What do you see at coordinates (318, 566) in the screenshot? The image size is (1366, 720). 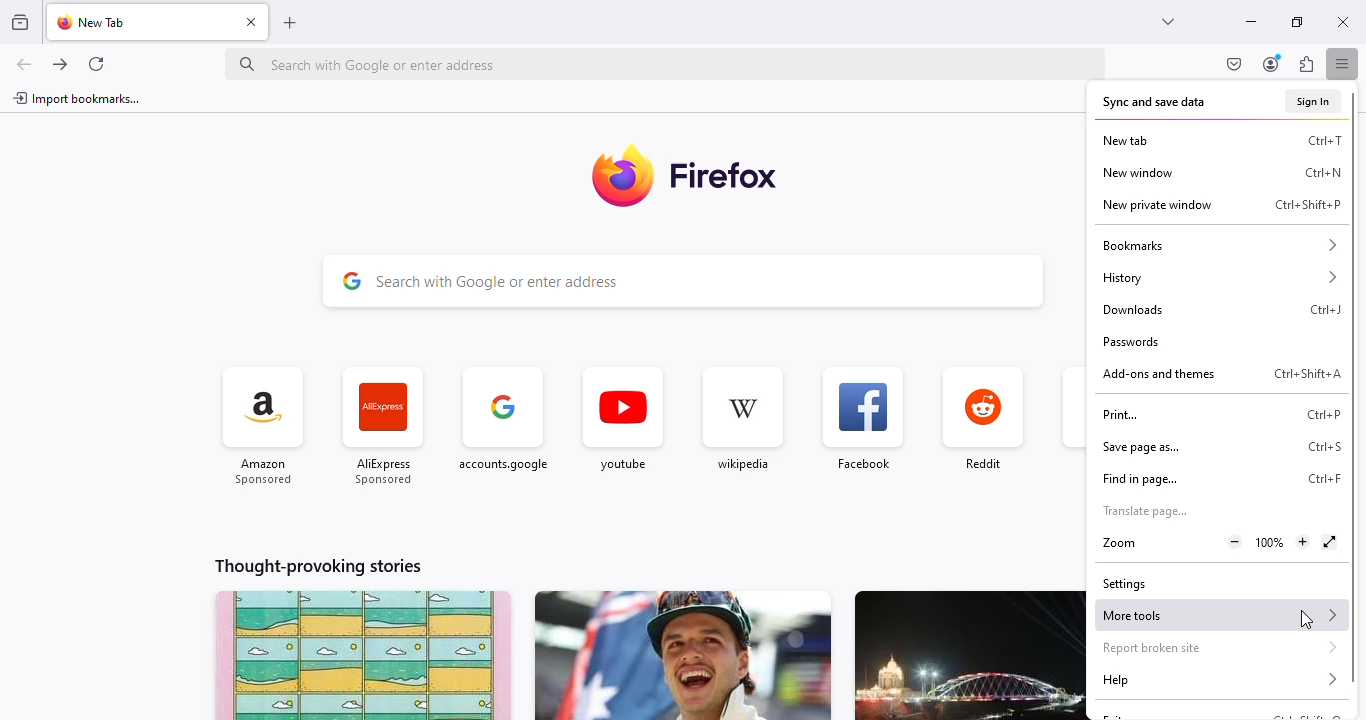 I see `thought-provoking stories` at bounding box center [318, 566].